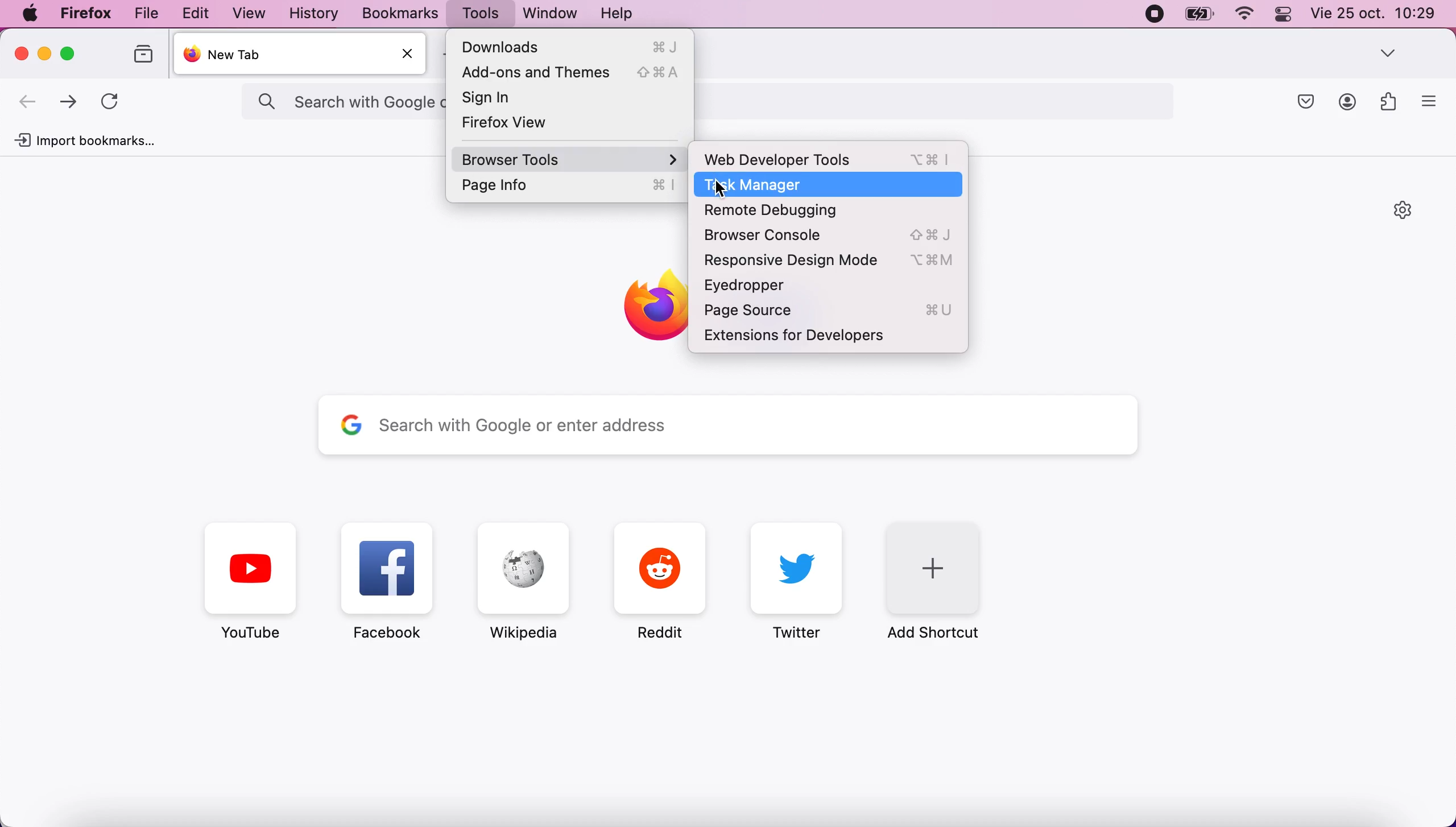 This screenshot has height=827, width=1456. What do you see at coordinates (68, 104) in the screenshot?
I see `Move forward` at bounding box center [68, 104].